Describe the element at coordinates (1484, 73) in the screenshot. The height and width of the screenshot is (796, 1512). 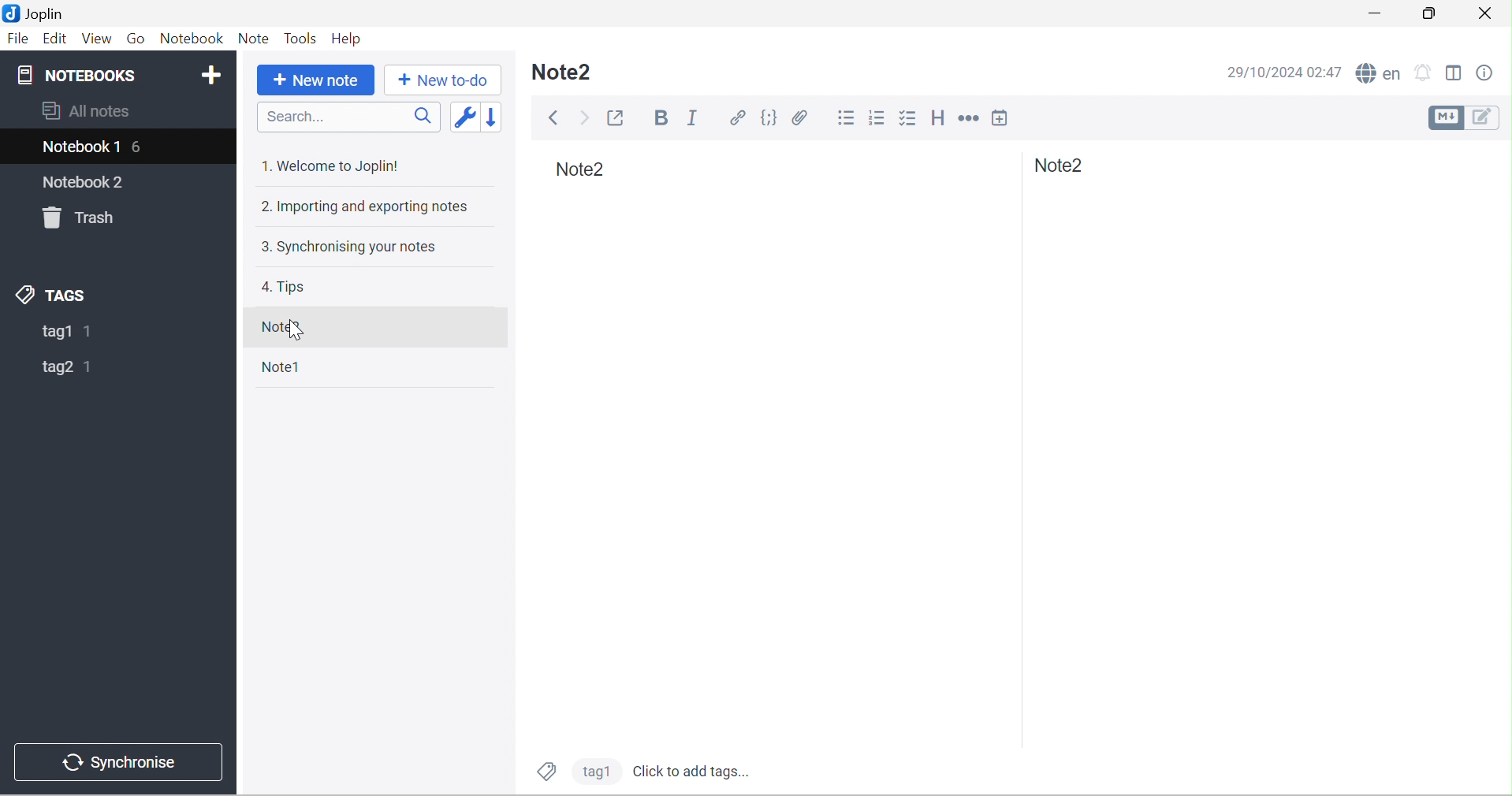
I see `Note properties` at that location.